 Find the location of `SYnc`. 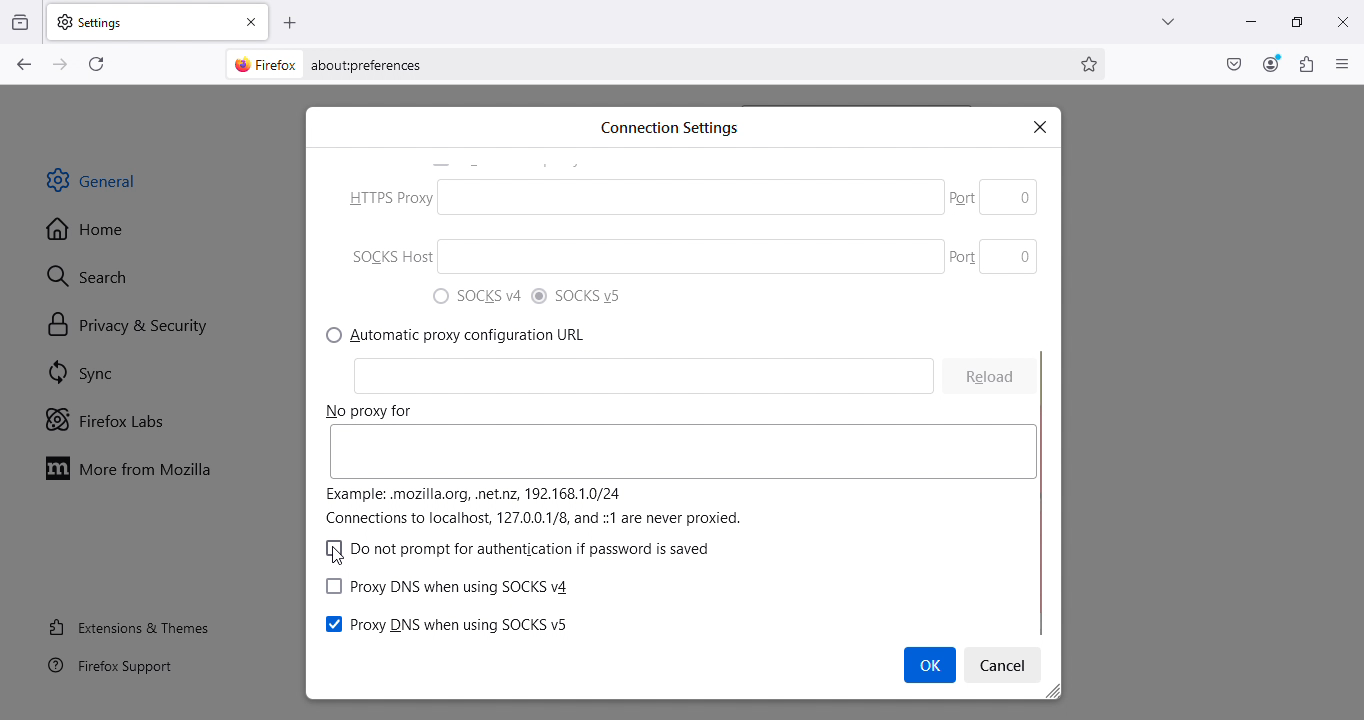

SYnc is located at coordinates (89, 376).